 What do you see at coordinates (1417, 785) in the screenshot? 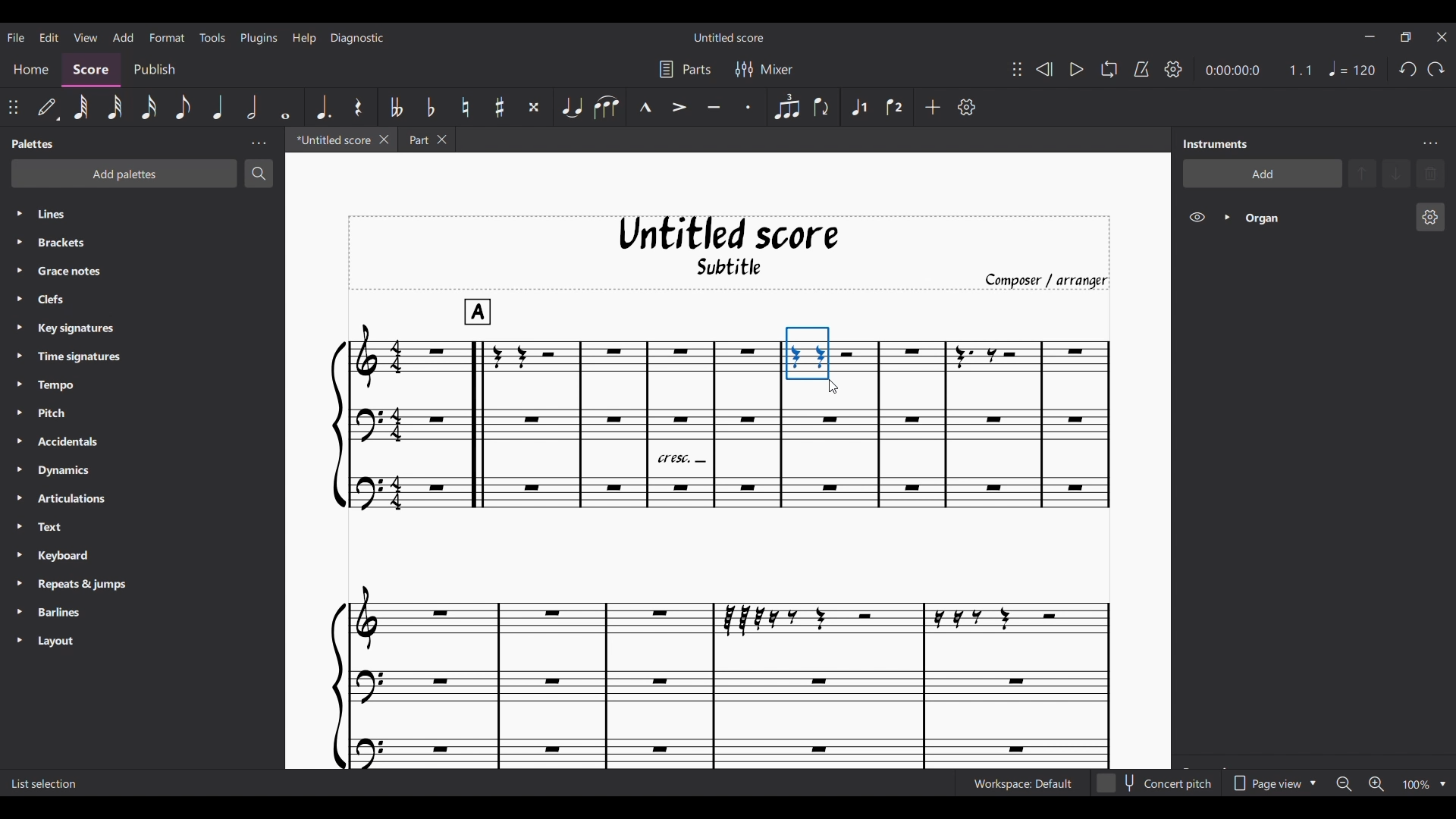
I see `Current zoom factor` at bounding box center [1417, 785].